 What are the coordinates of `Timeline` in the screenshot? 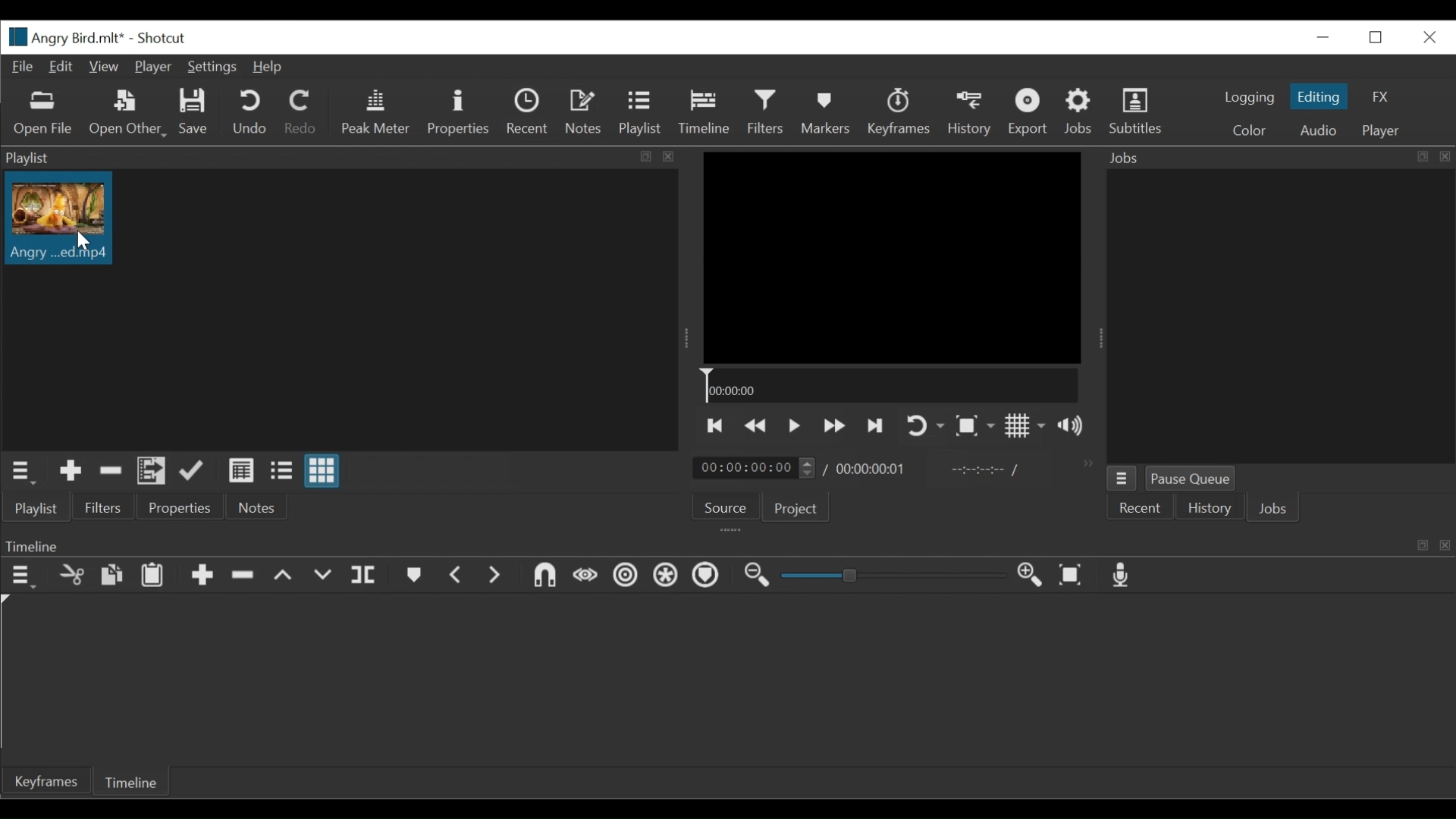 It's located at (129, 781).